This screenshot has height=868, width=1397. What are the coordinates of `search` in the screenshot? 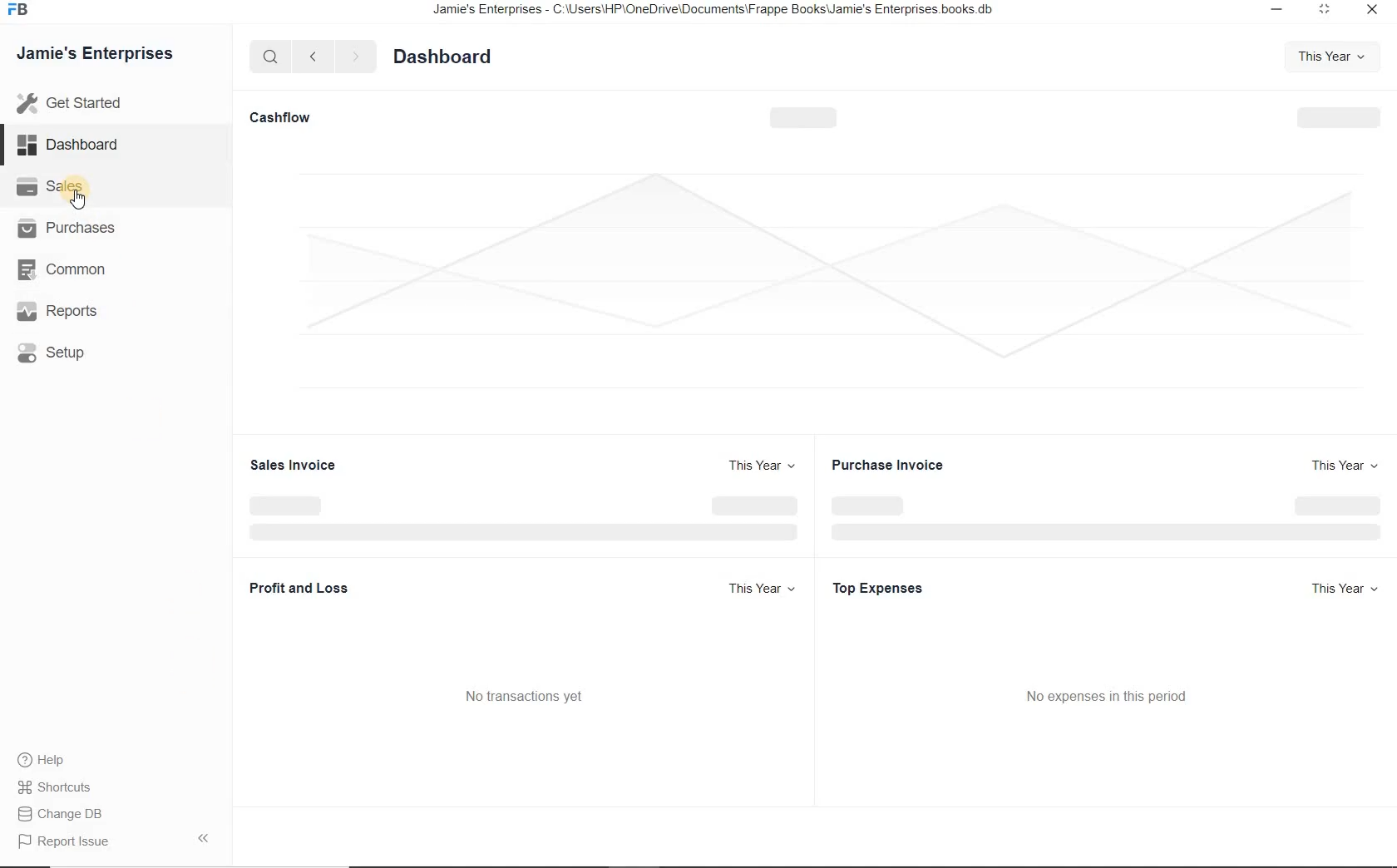 It's located at (274, 57).